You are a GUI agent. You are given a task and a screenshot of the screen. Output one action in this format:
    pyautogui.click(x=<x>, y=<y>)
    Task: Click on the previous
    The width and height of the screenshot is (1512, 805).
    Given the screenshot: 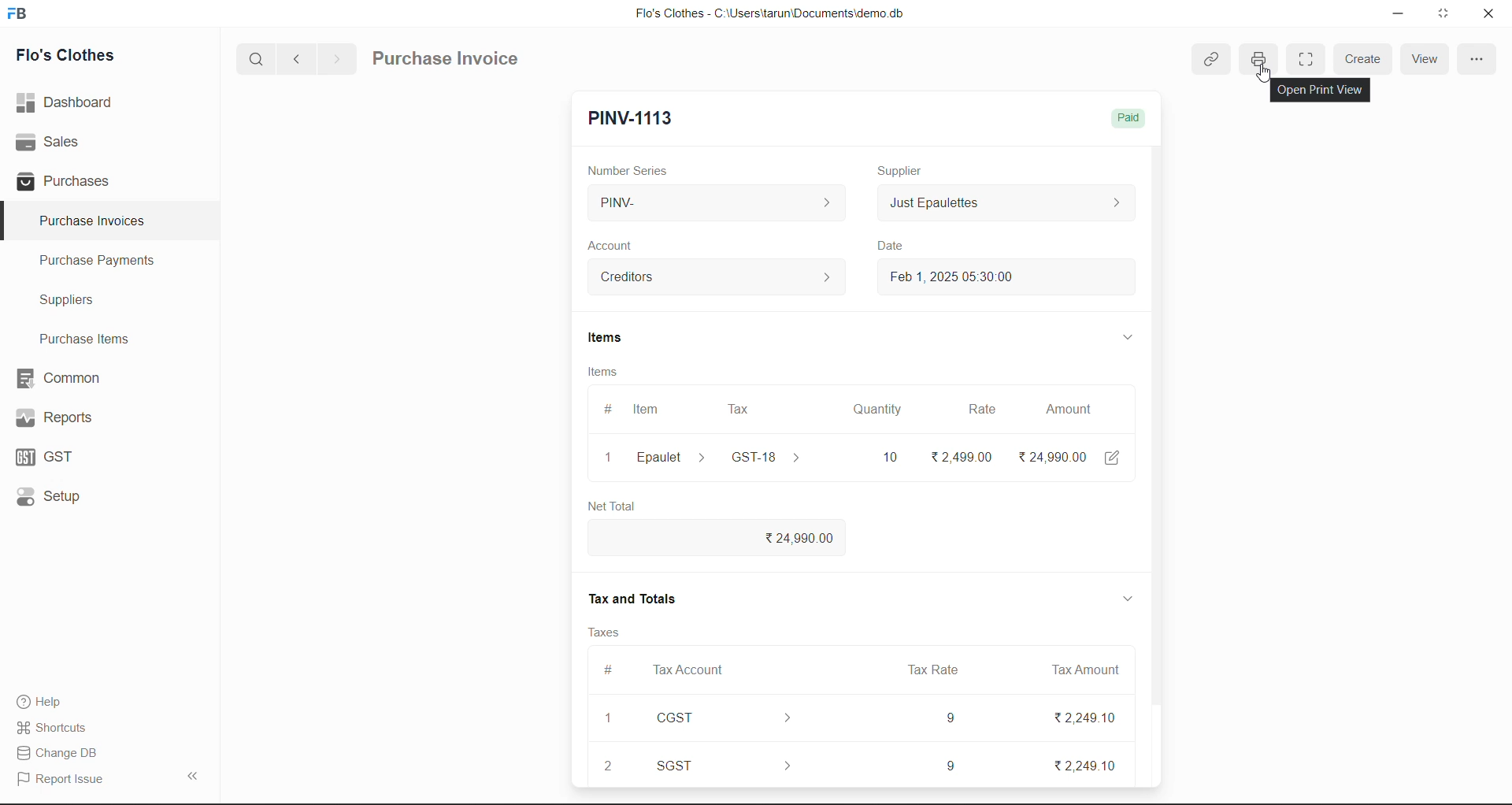 What is the action you would take?
    pyautogui.click(x=300, y=57)
    